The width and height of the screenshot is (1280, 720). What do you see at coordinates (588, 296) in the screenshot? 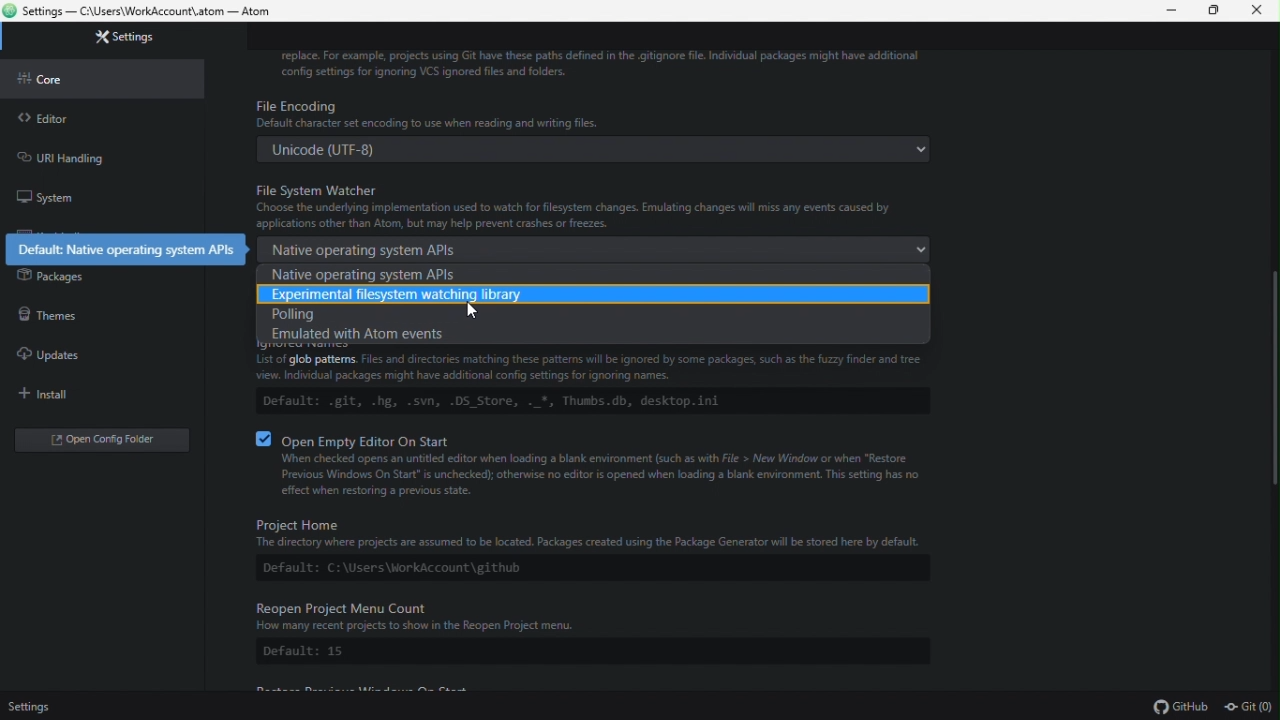
I see `Experimental file system watching library` at bounding box center [588, 296].